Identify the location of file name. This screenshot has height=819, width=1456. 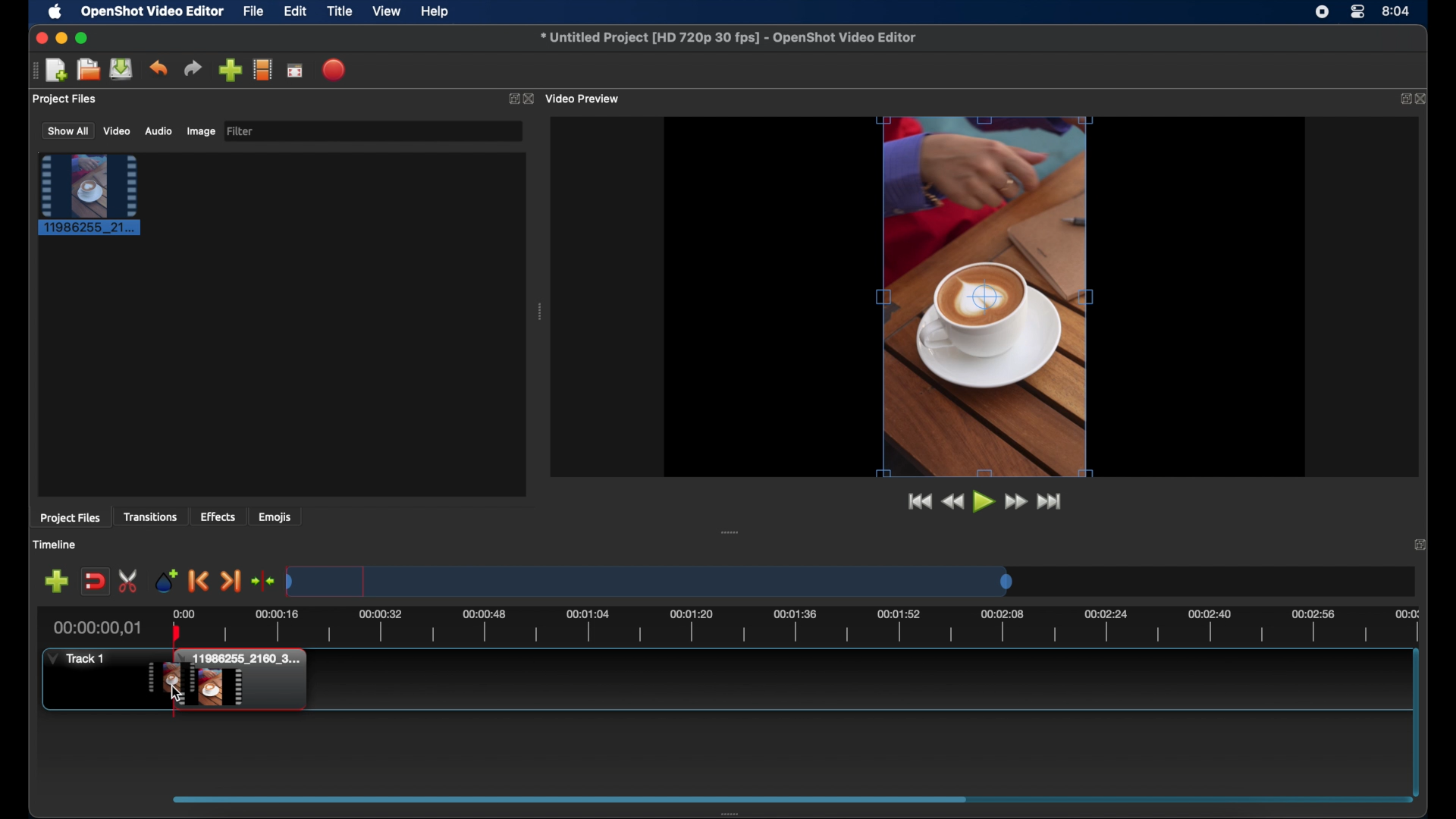
(728, 36).